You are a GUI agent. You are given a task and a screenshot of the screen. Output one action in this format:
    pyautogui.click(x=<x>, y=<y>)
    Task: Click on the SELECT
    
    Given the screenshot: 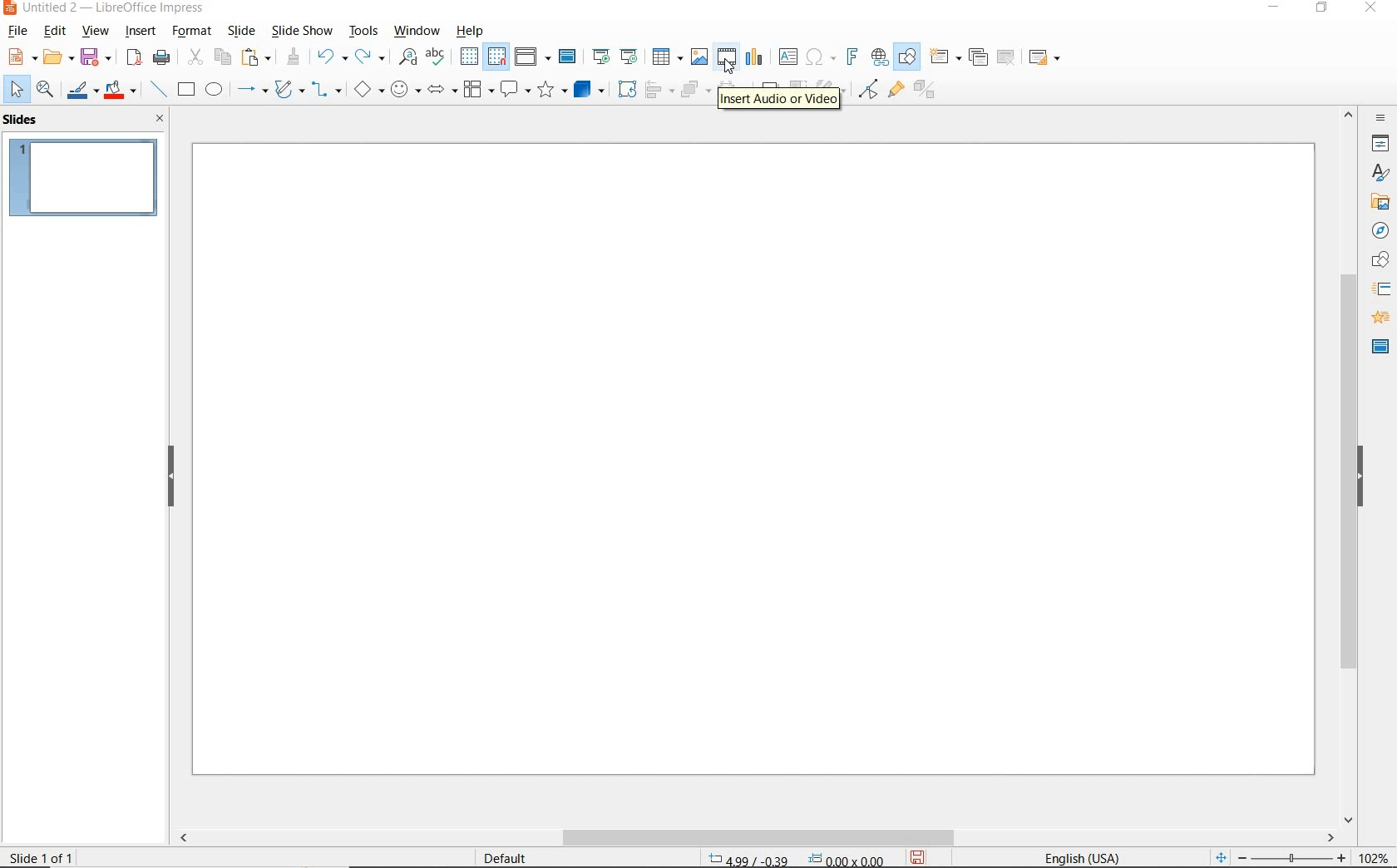 What is the action you would take?
    pyautogui.click(x=14, y=88)
    